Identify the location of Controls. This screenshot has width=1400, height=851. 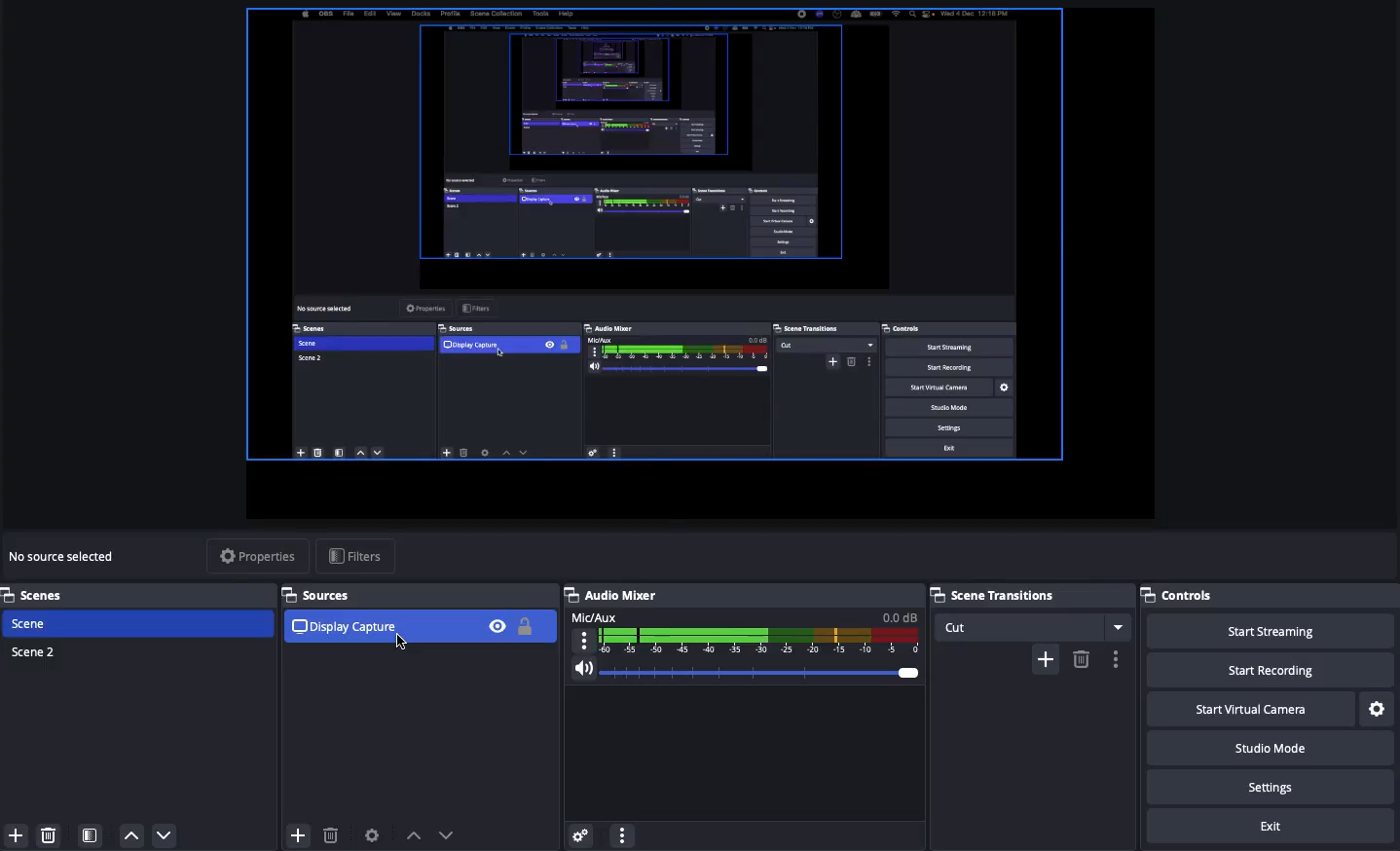
(1179, 595).